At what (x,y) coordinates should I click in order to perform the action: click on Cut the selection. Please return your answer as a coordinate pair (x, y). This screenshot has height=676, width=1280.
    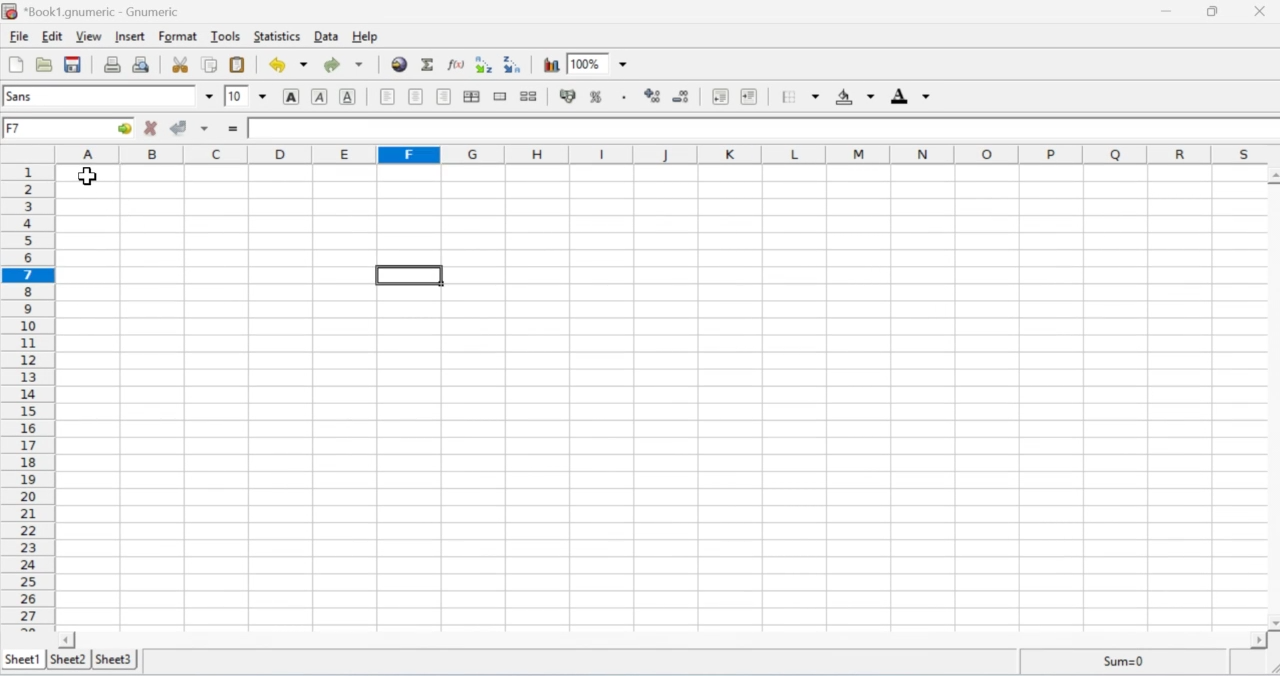
    Looking at the image, I should click on (183, 63).